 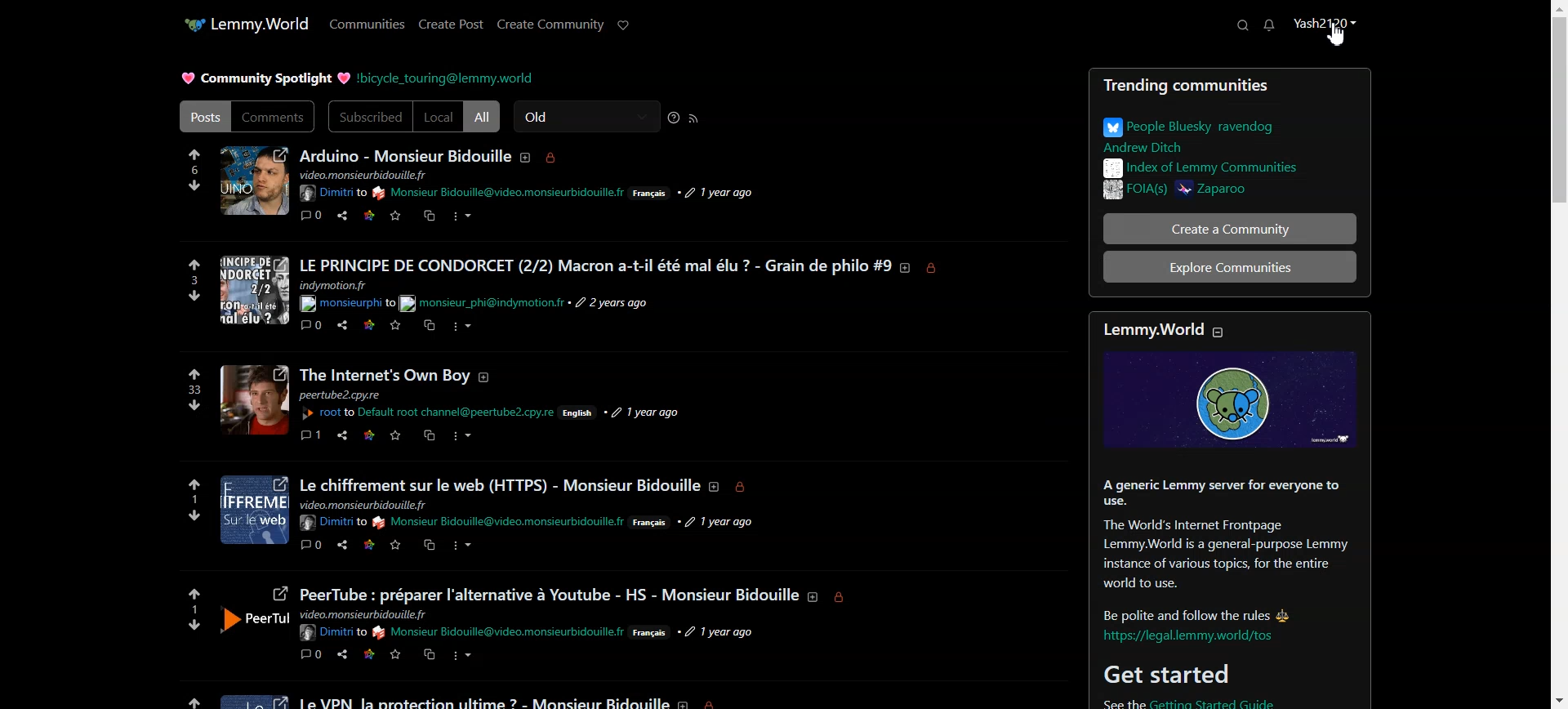 I want to click on text, so click(x=483, y=305).